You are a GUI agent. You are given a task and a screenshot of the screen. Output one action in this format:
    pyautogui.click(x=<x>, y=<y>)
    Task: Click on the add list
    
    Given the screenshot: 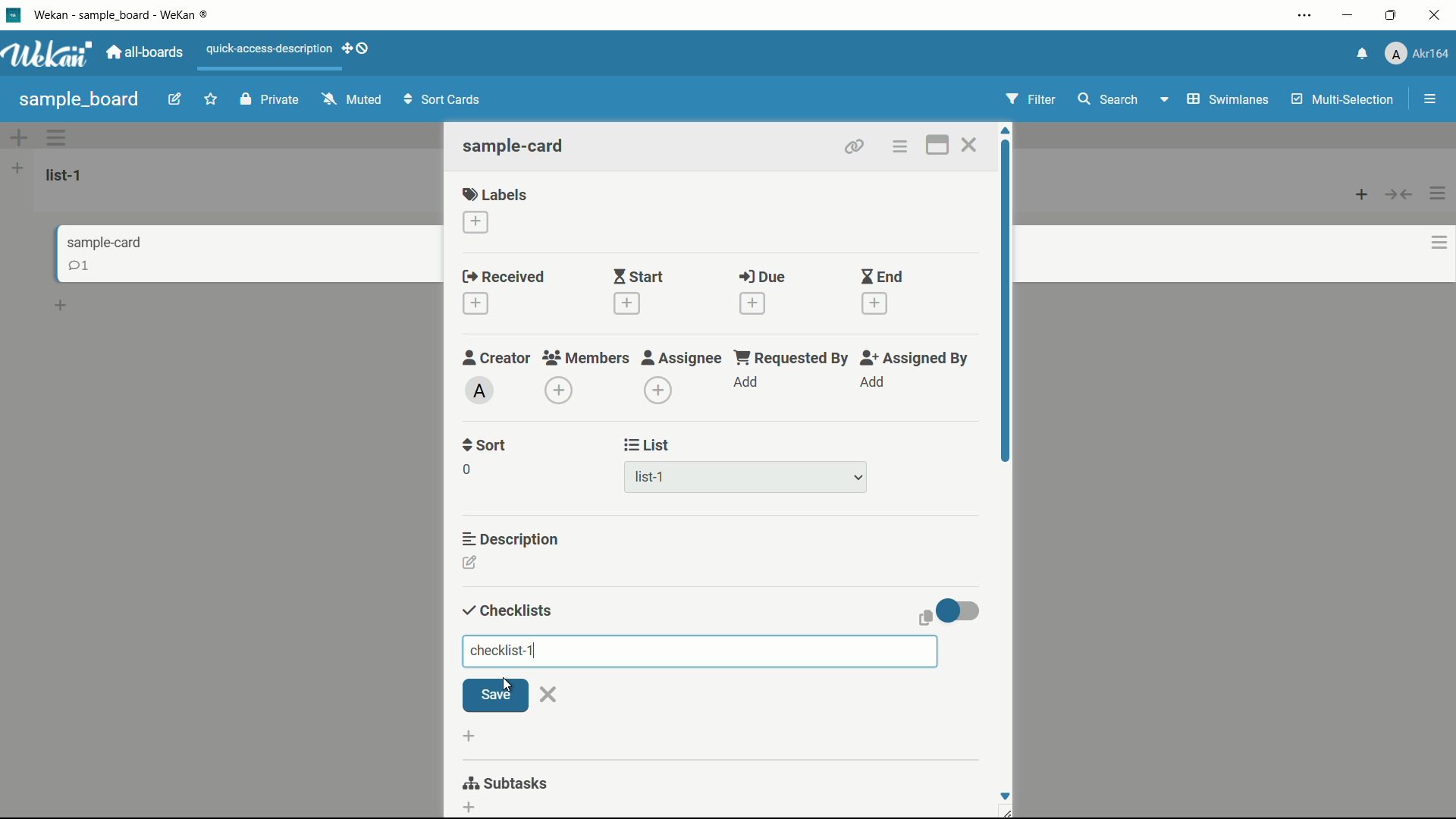 What is the action you would take?
    pyautogui.click(x=18, y=170)
    